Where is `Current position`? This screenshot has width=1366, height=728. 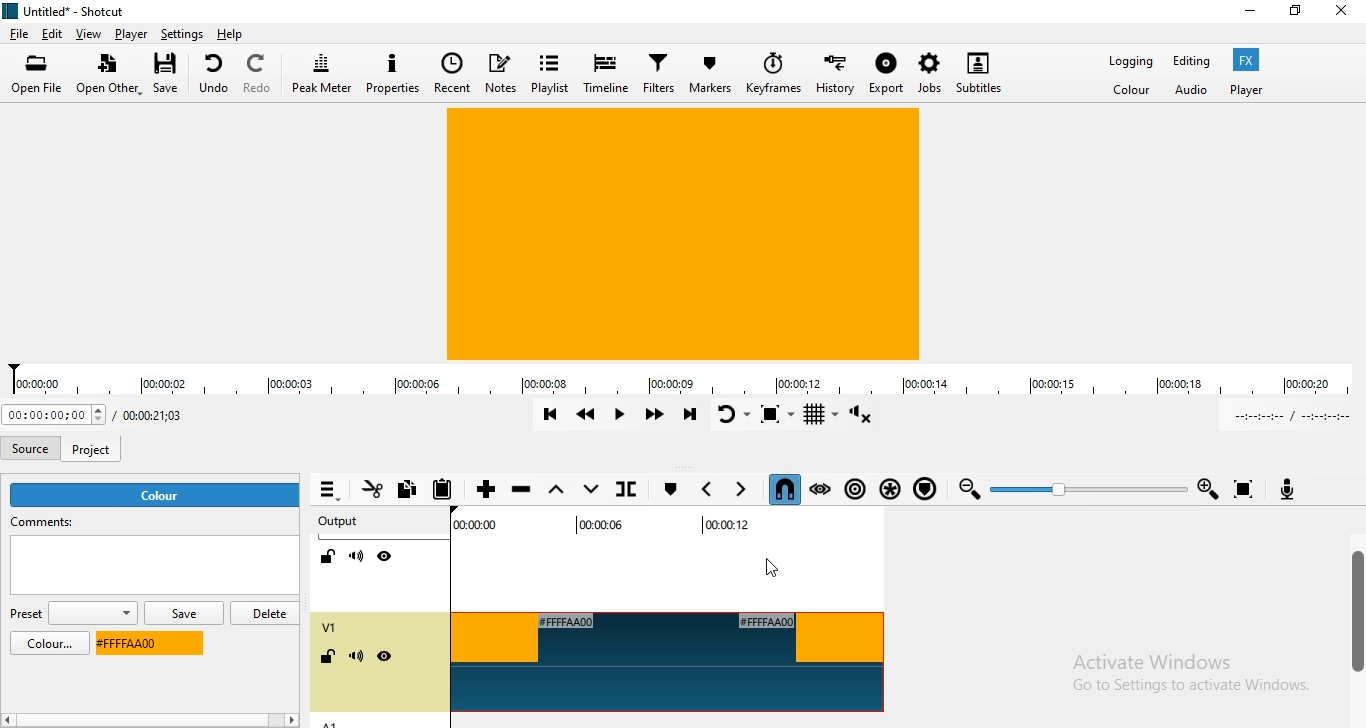
Current position is located at coordinates (54, 416).